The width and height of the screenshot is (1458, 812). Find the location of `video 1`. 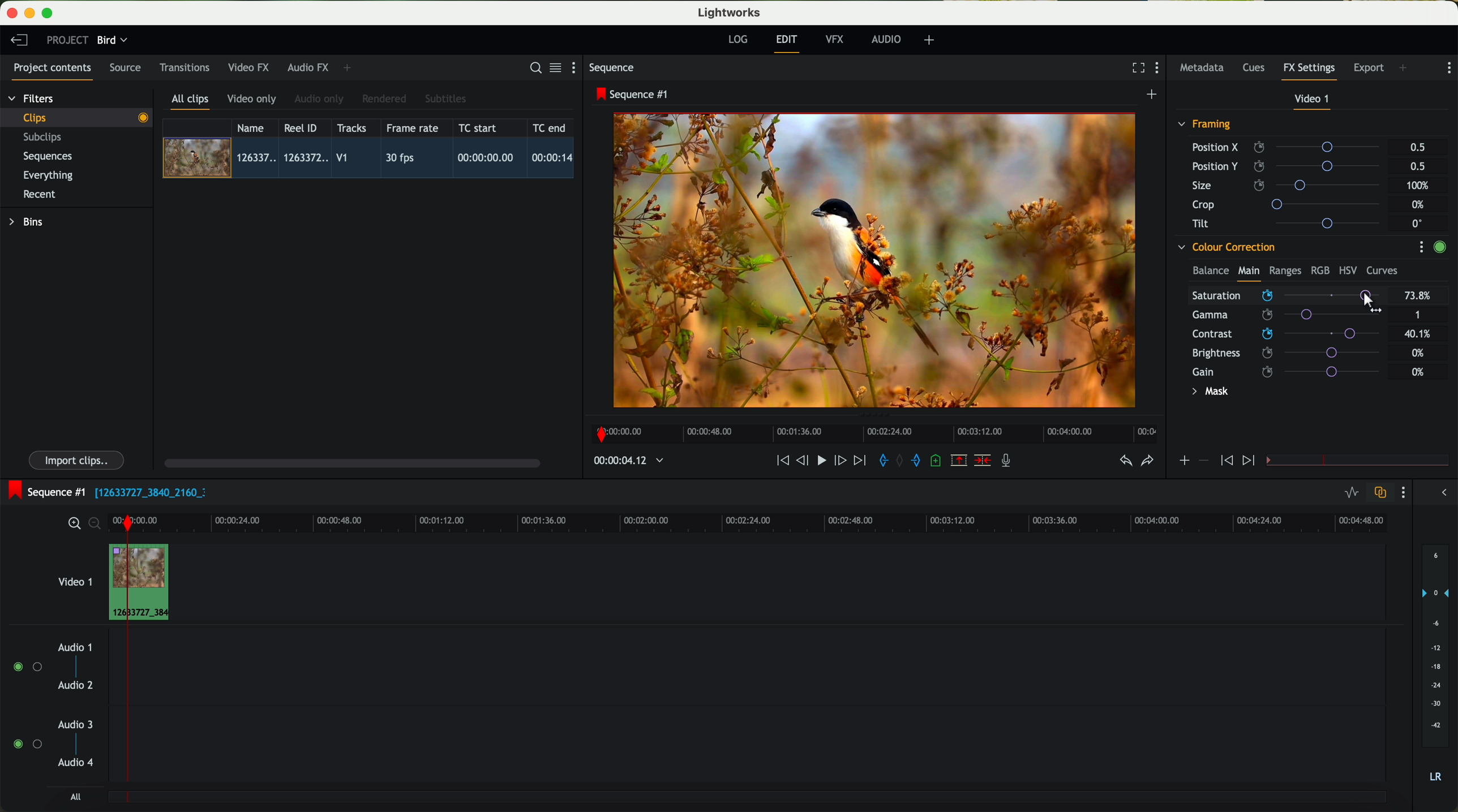

video 1 is located at coordinates (74, 579).